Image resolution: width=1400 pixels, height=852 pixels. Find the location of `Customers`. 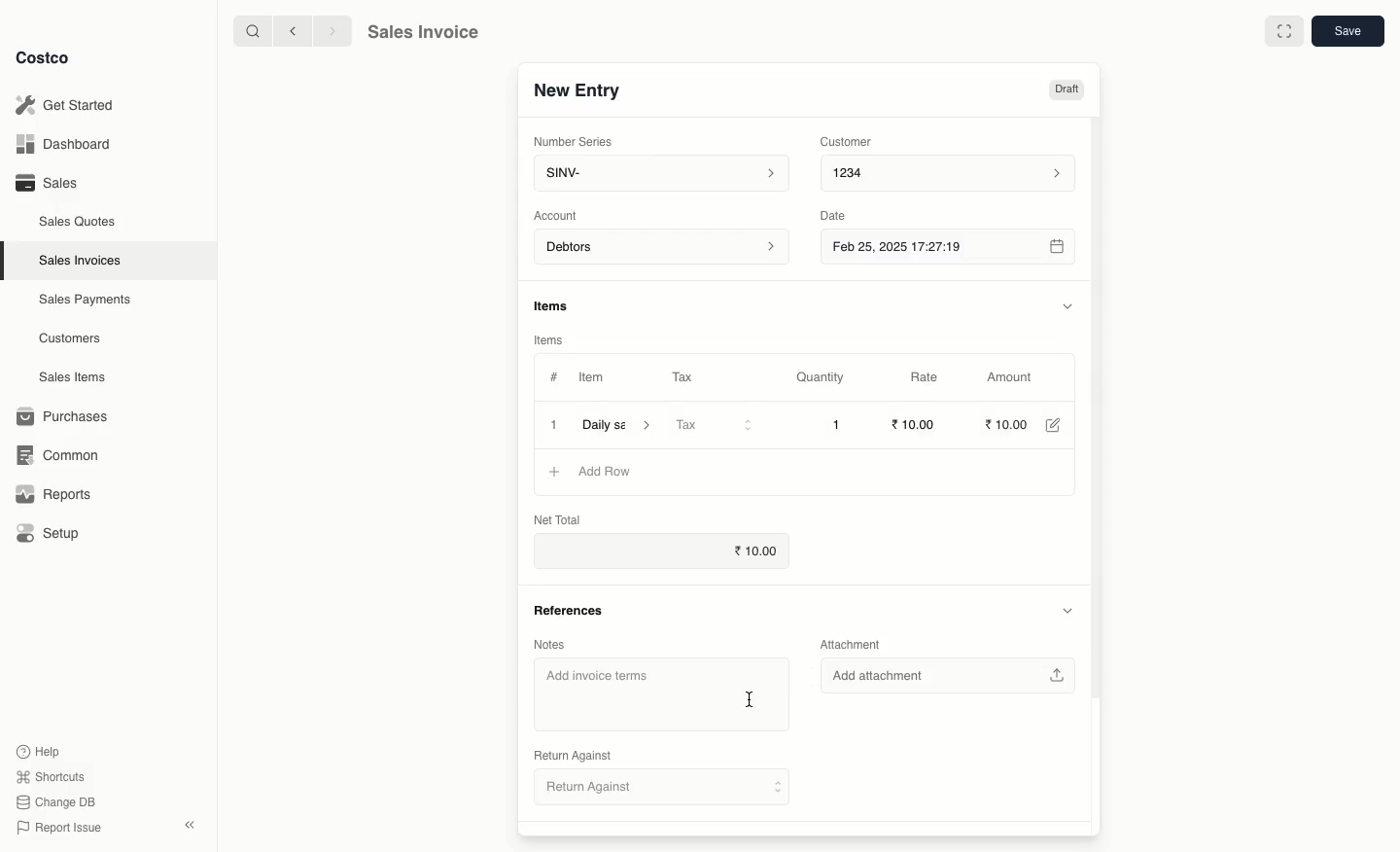

Customers is located at coordinates (68, 337).